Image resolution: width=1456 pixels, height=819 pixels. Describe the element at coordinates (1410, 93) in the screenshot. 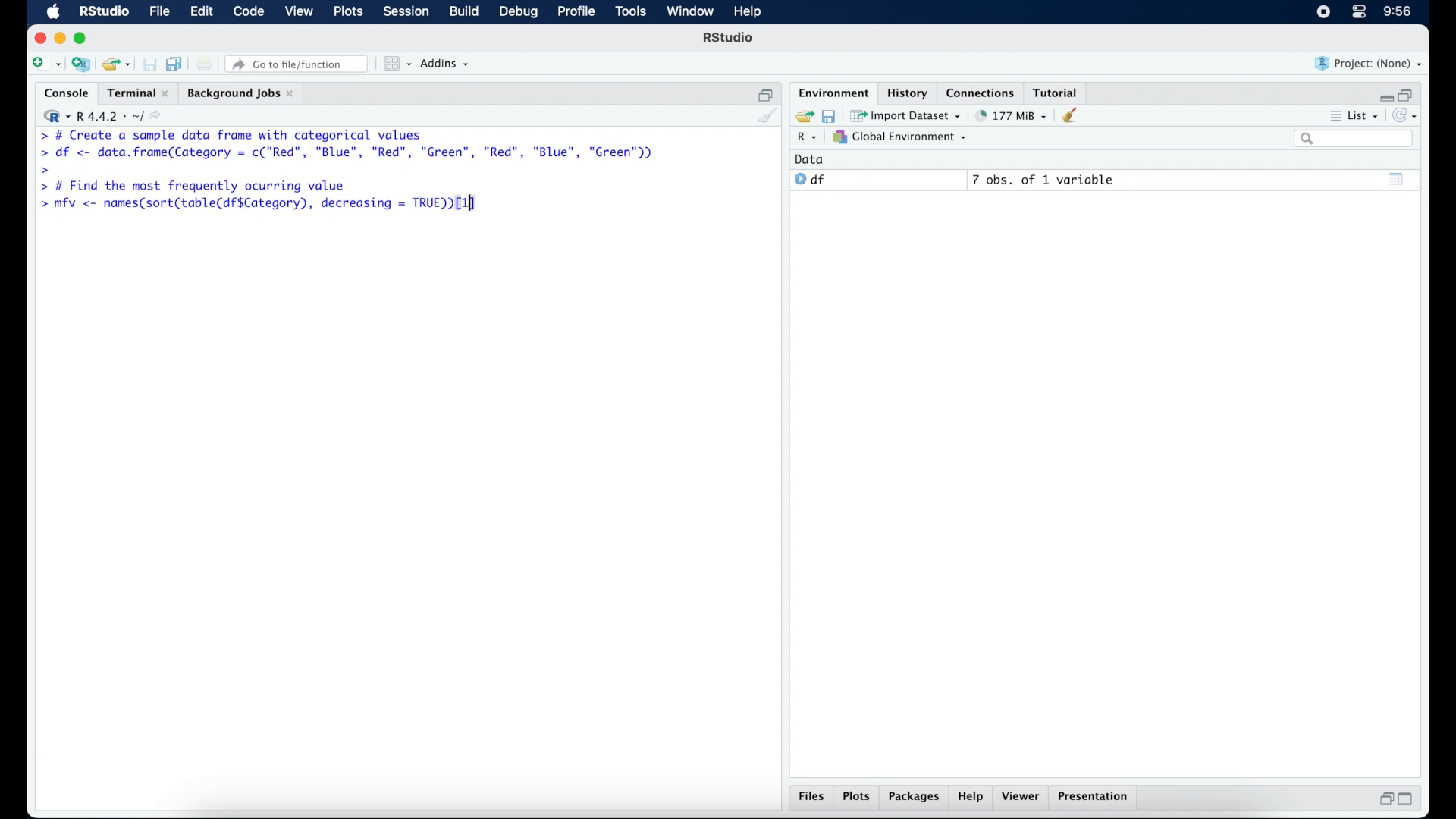

I see `restore down` at that location.